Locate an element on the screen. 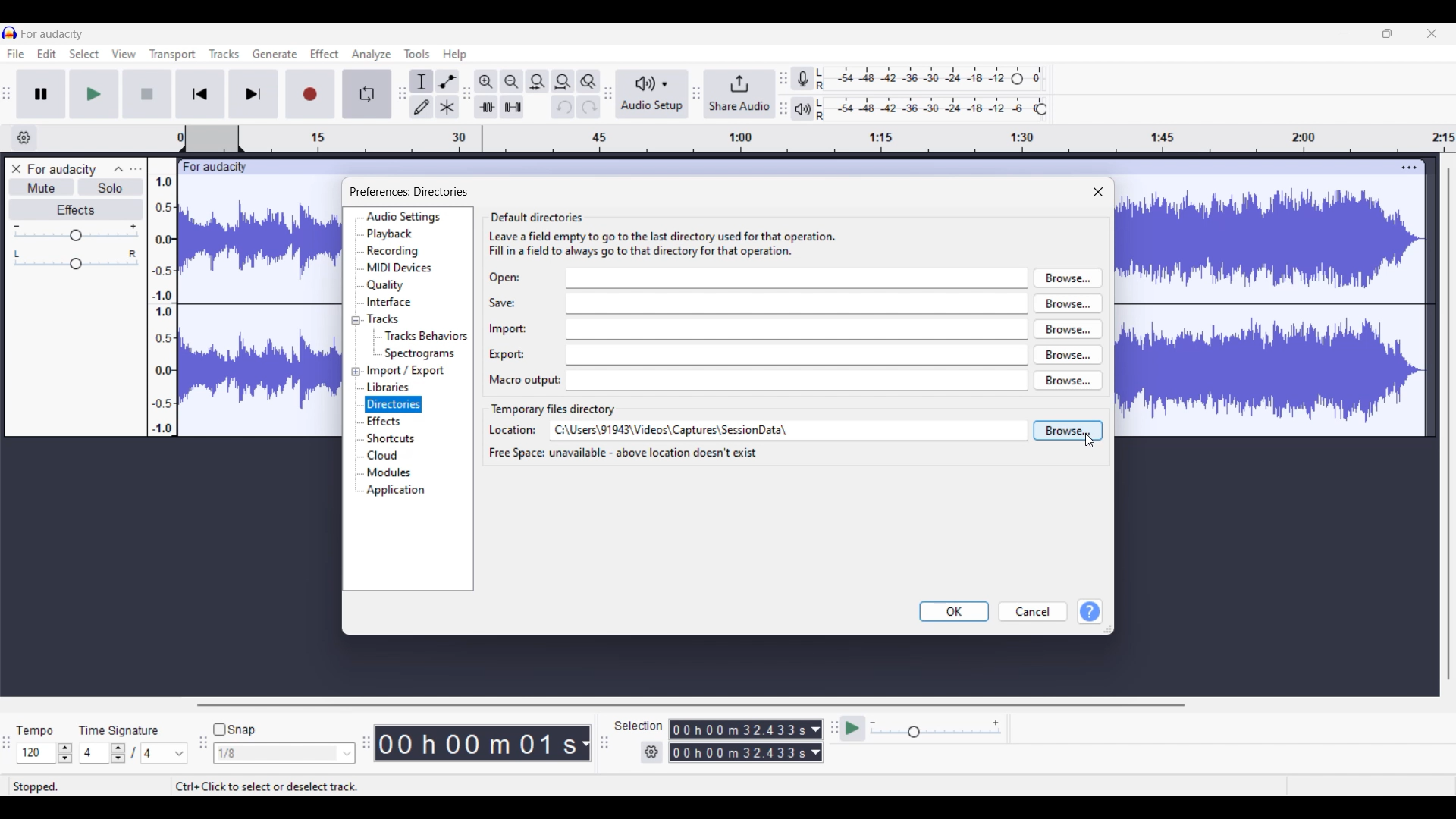 This screenshot has height=819, width=1456. Playback meter is located at coordinates (803, 108).